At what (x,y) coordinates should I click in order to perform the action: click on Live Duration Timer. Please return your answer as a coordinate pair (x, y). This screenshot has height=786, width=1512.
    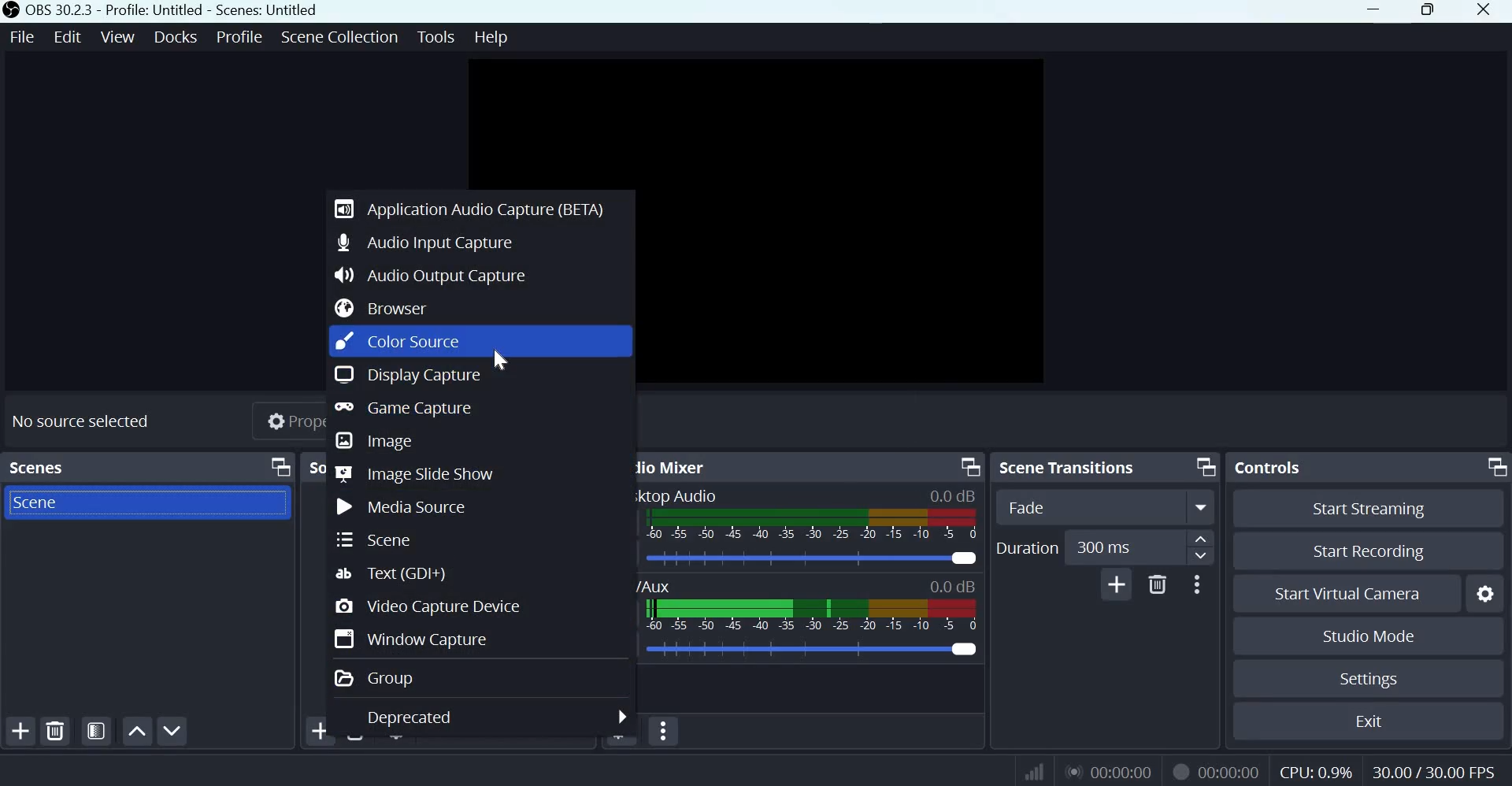
    Looking at the image, I should click on (1180, 770).